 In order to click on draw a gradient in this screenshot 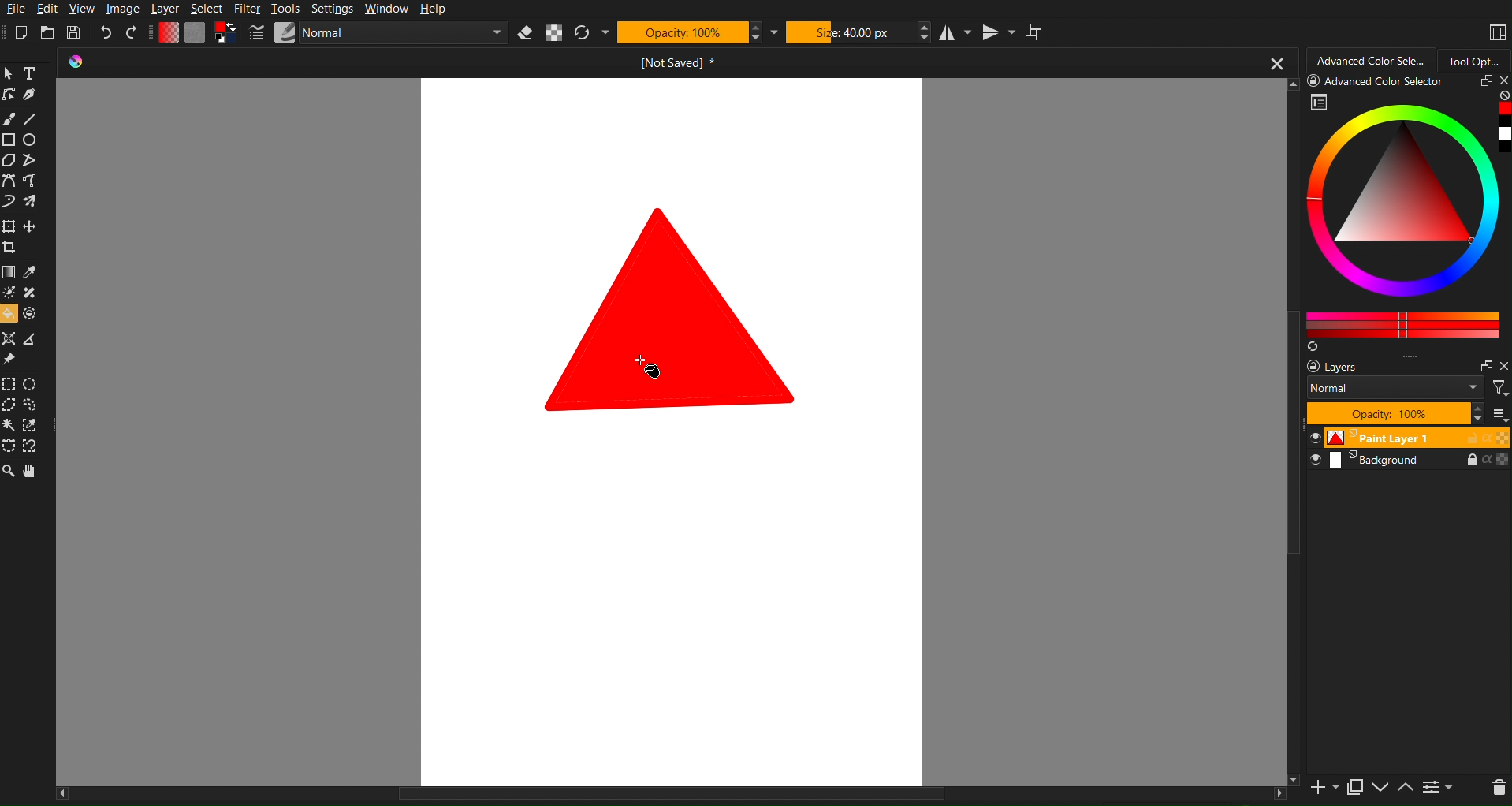, I will do `click(10, 272)`.